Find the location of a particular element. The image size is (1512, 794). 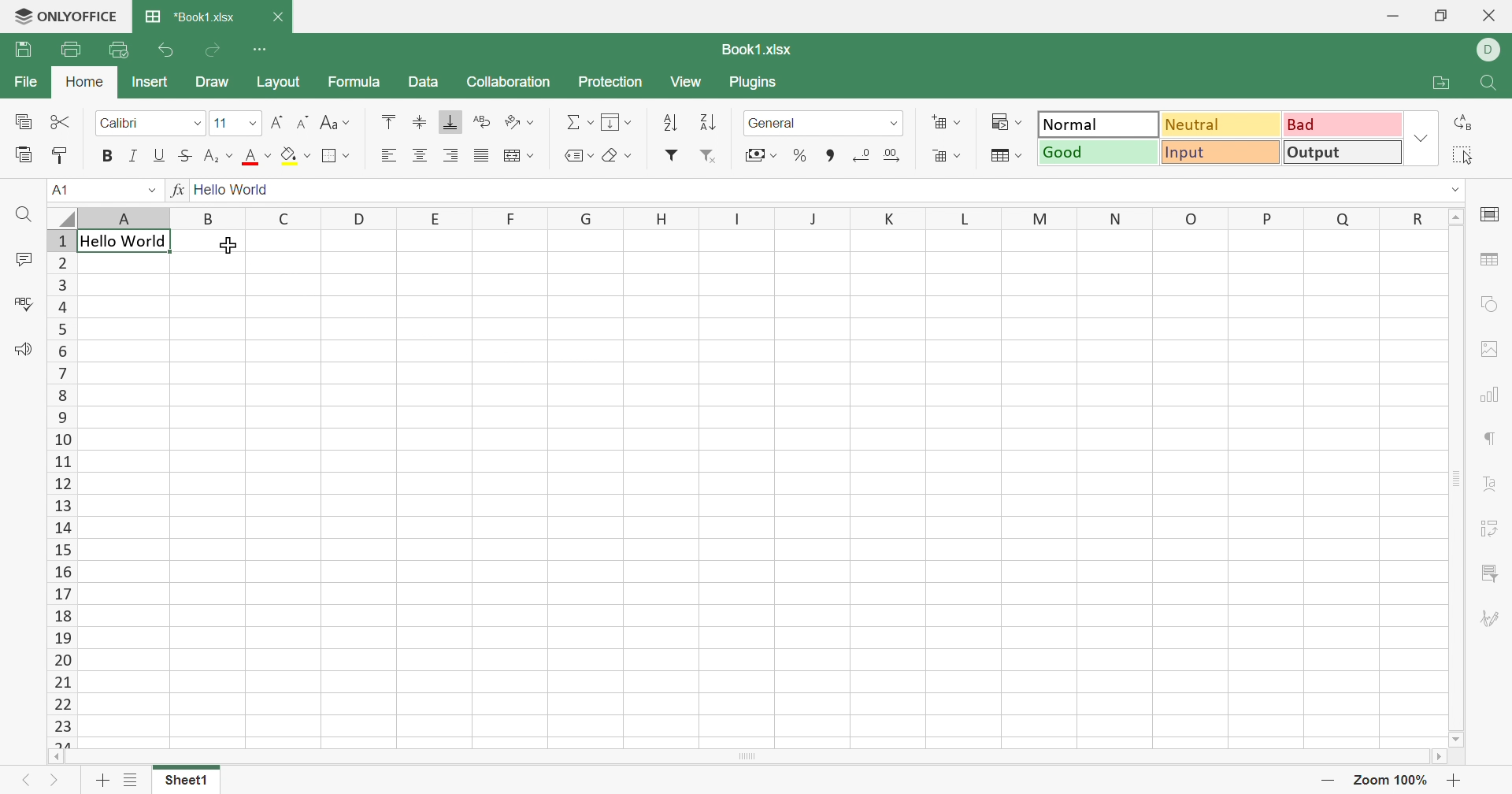

Justified is located at coordinates (482, 155).